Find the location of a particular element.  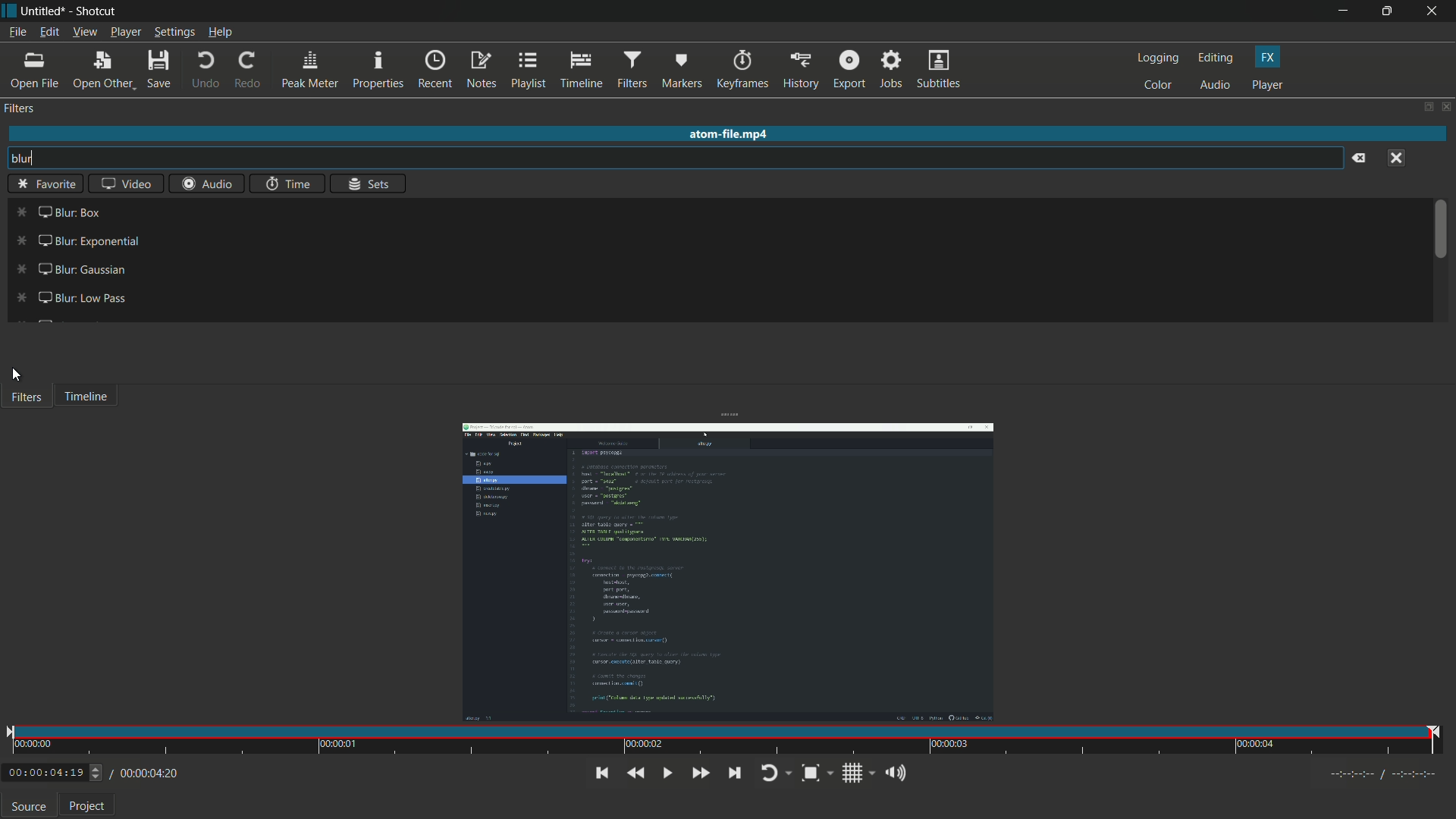

blur low pass is located at coordinates (72, 296).